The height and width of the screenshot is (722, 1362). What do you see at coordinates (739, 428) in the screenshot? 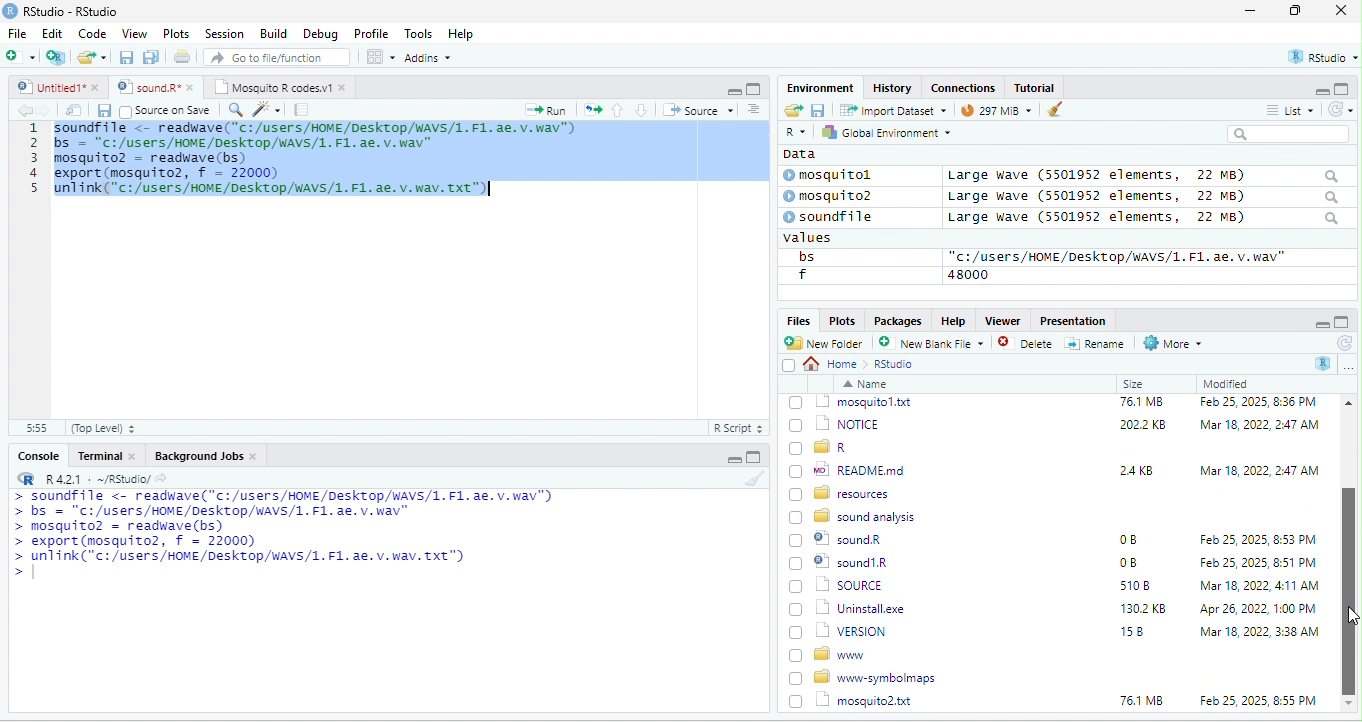
I see `R Script 5` at bounding box center [739, 428].